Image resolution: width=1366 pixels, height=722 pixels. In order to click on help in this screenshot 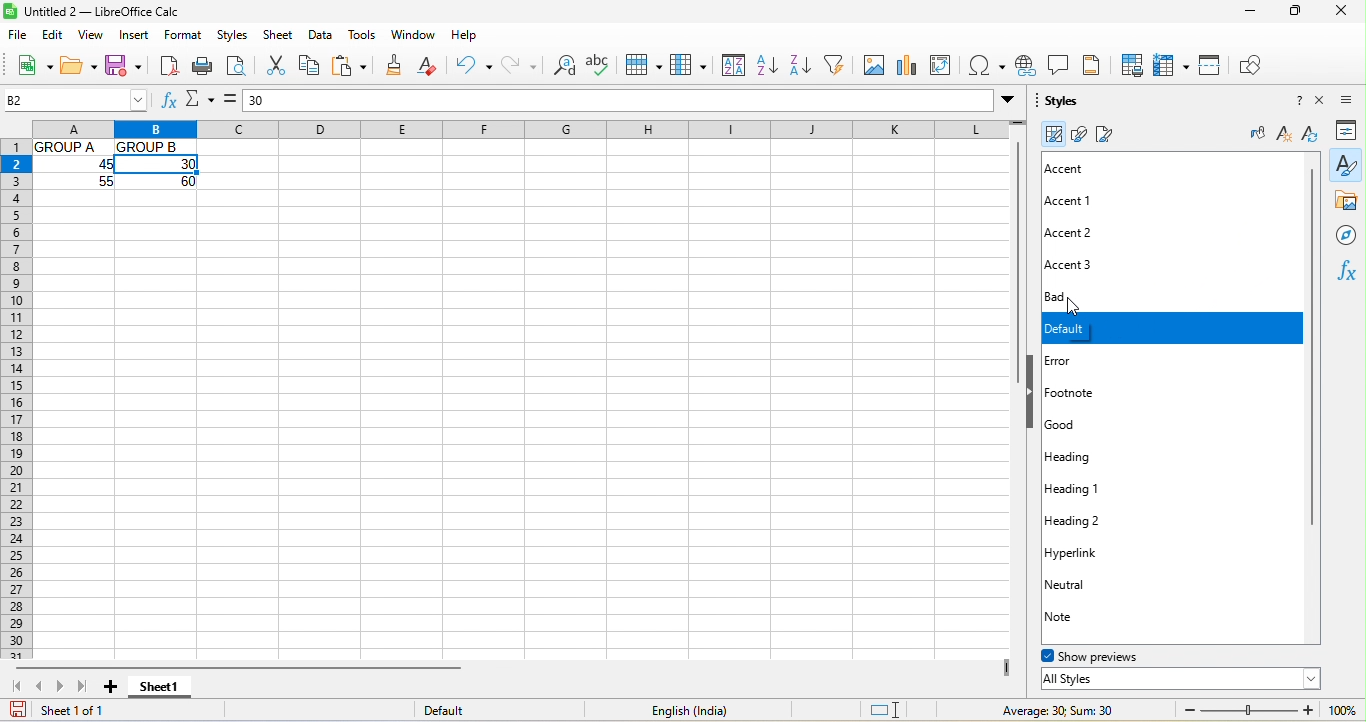, I will do `click(1291, 103)`.